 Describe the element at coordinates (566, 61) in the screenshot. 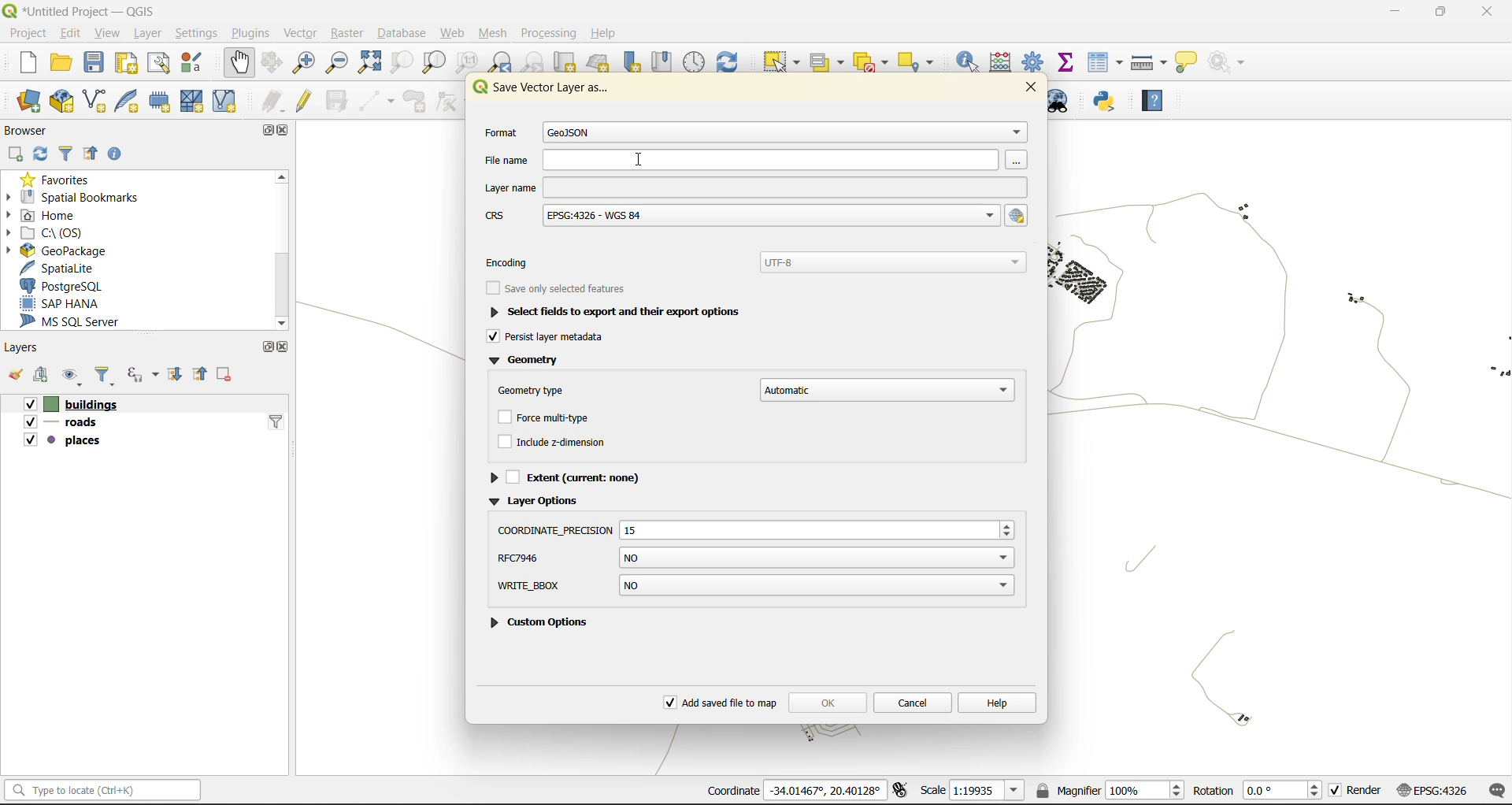

I see `cut` at that location.